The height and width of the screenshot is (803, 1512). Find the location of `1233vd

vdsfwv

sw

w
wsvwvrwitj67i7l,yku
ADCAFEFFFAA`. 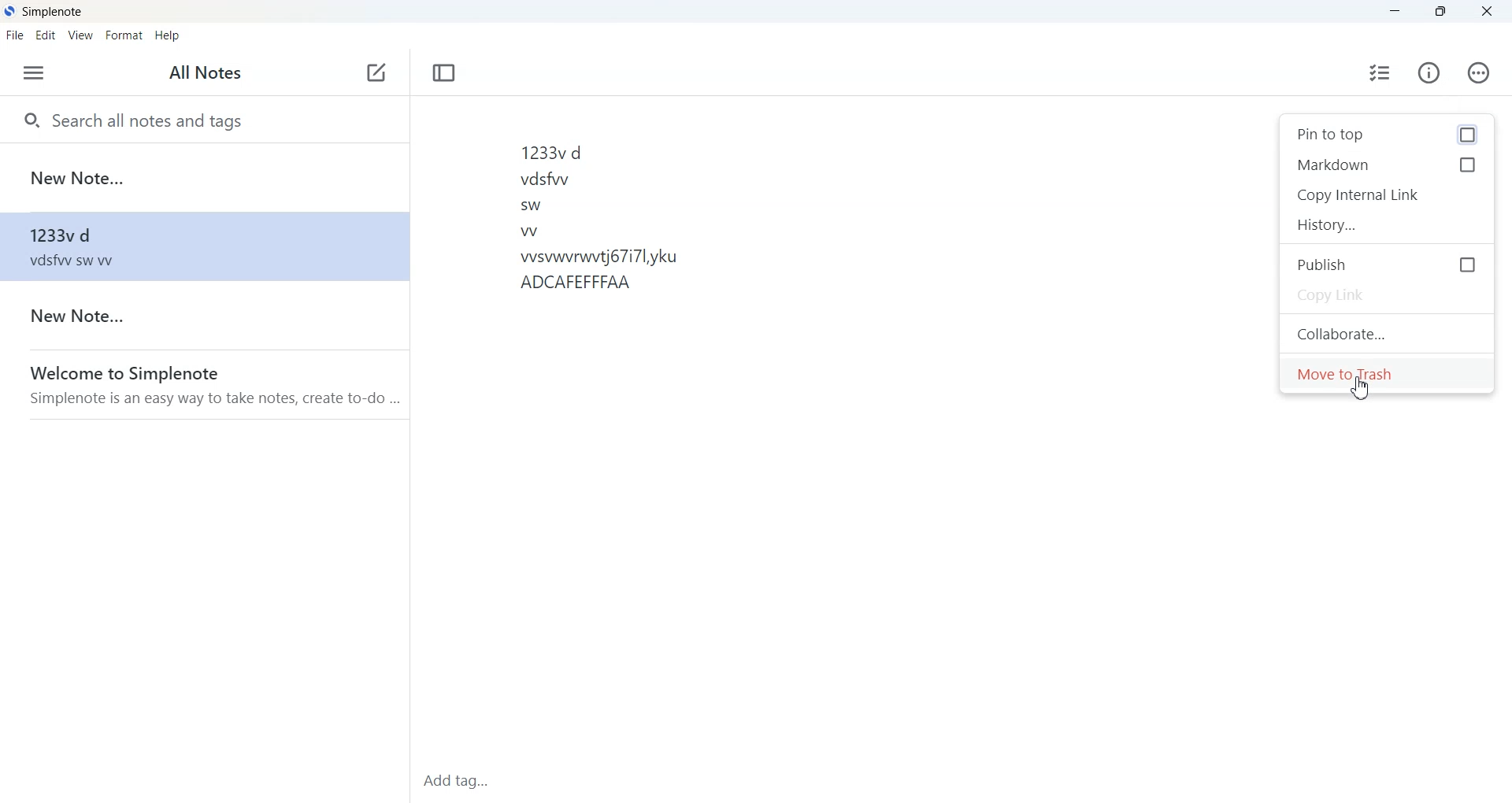

1233vd

vdsfwv

sw

w
wsvwvrwitj67i7l,yku
ADCAFEFFFAA is located at coordinates (602, 220).